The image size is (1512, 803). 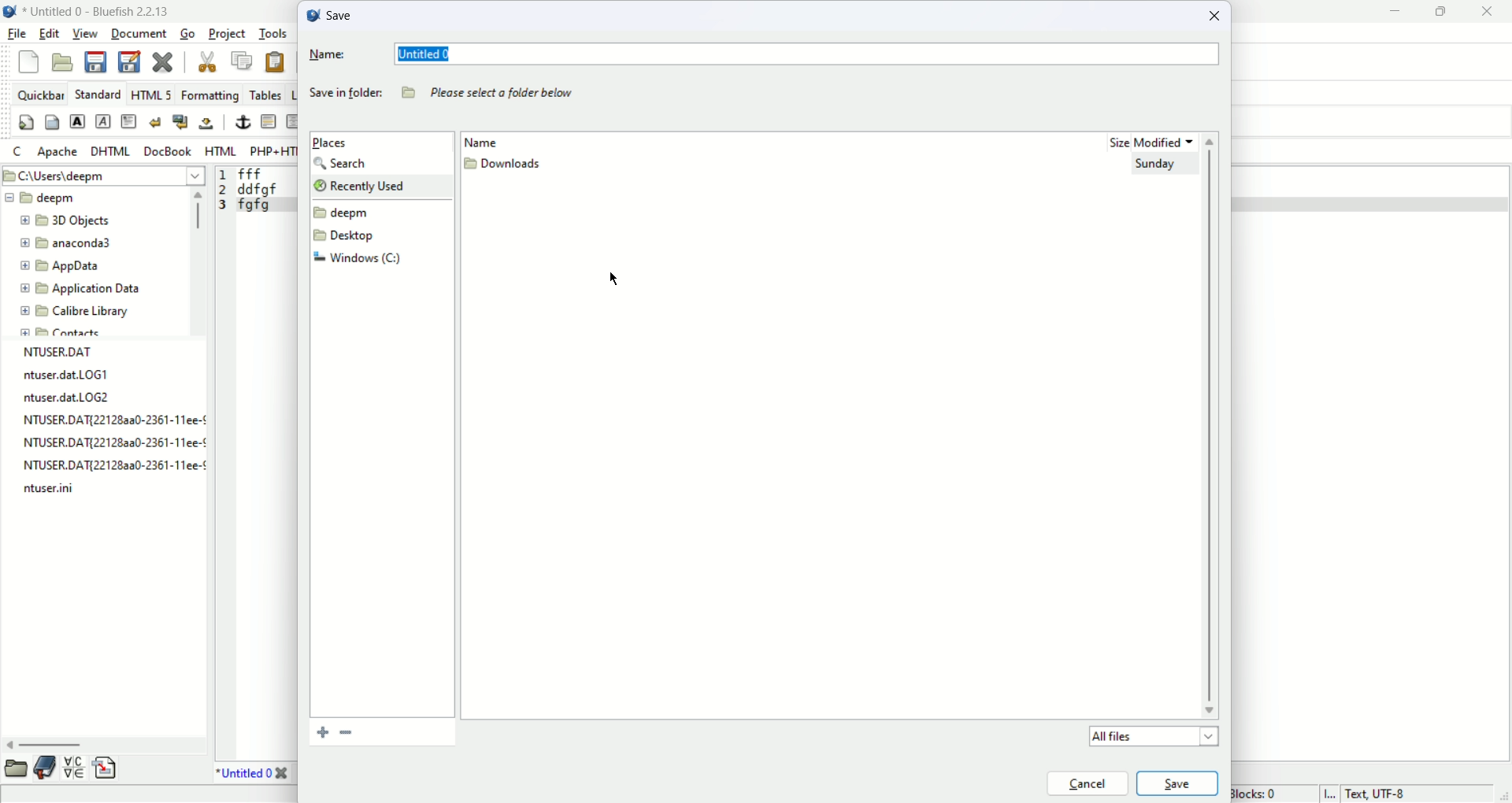 I want to click on horizontal rule, so click(x=267, y=122).